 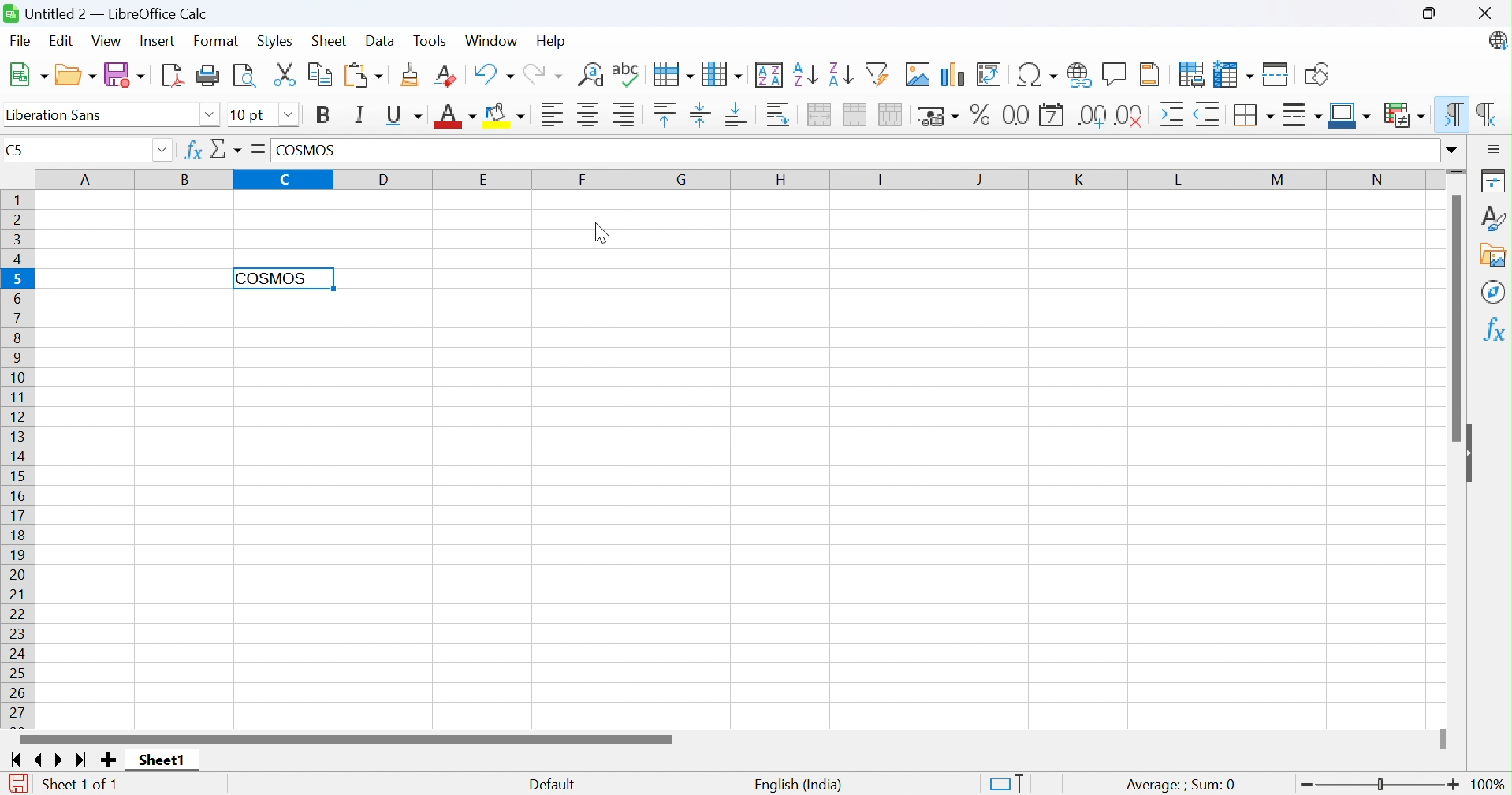 What do you see at coordinates (362, 76) in the screenshot?
I see `Paste` at bounding box center [362, 76].